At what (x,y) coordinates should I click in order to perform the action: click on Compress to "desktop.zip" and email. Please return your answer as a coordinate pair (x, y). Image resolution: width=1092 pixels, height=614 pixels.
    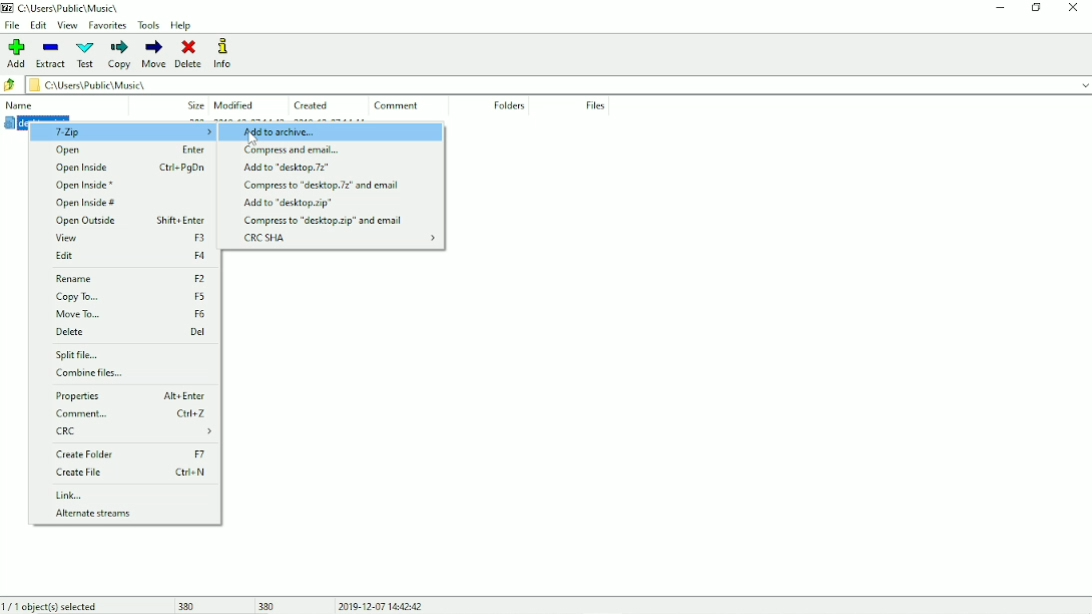
    Looking at the image, I should click on (327, 221).